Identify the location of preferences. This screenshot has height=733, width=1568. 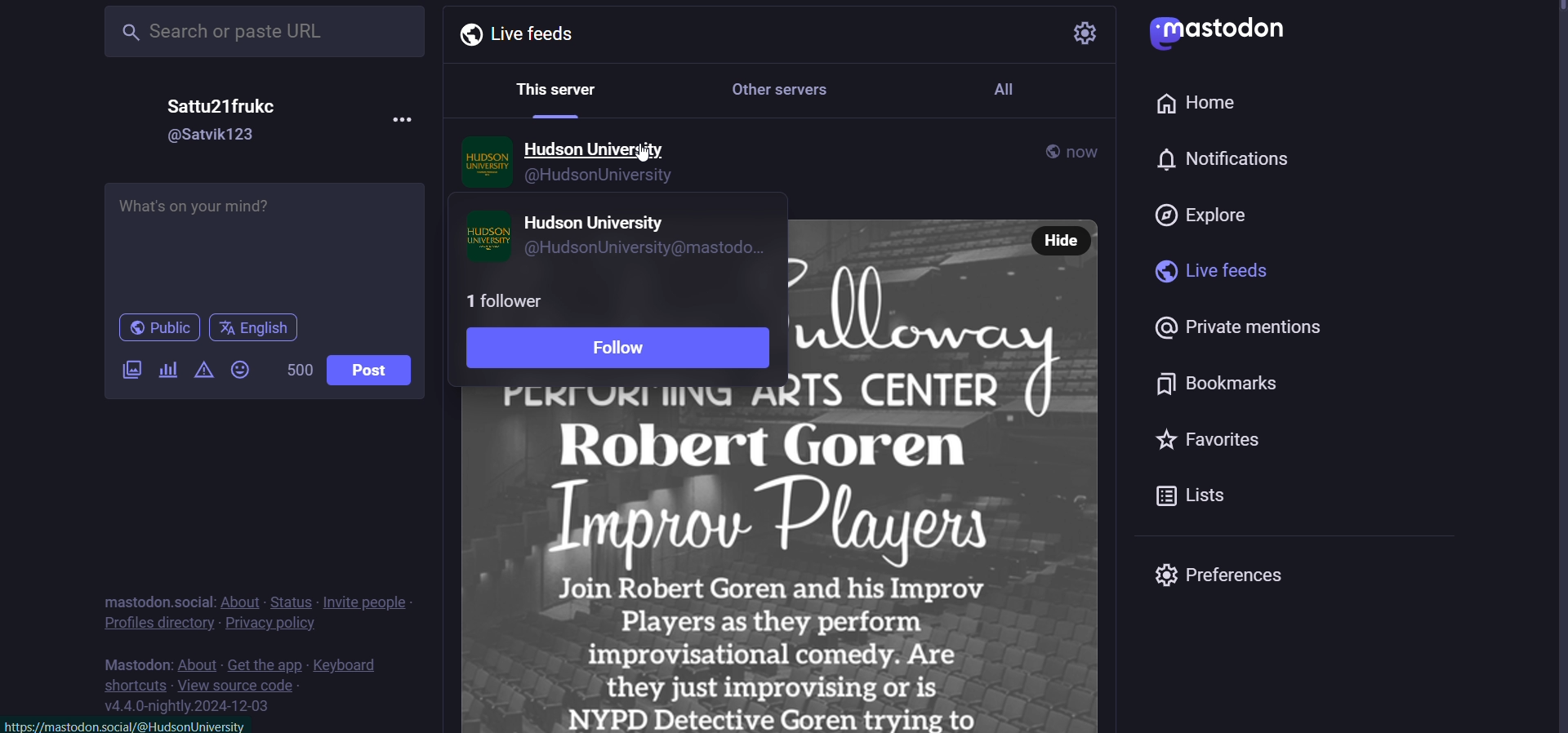
(1214, 571).